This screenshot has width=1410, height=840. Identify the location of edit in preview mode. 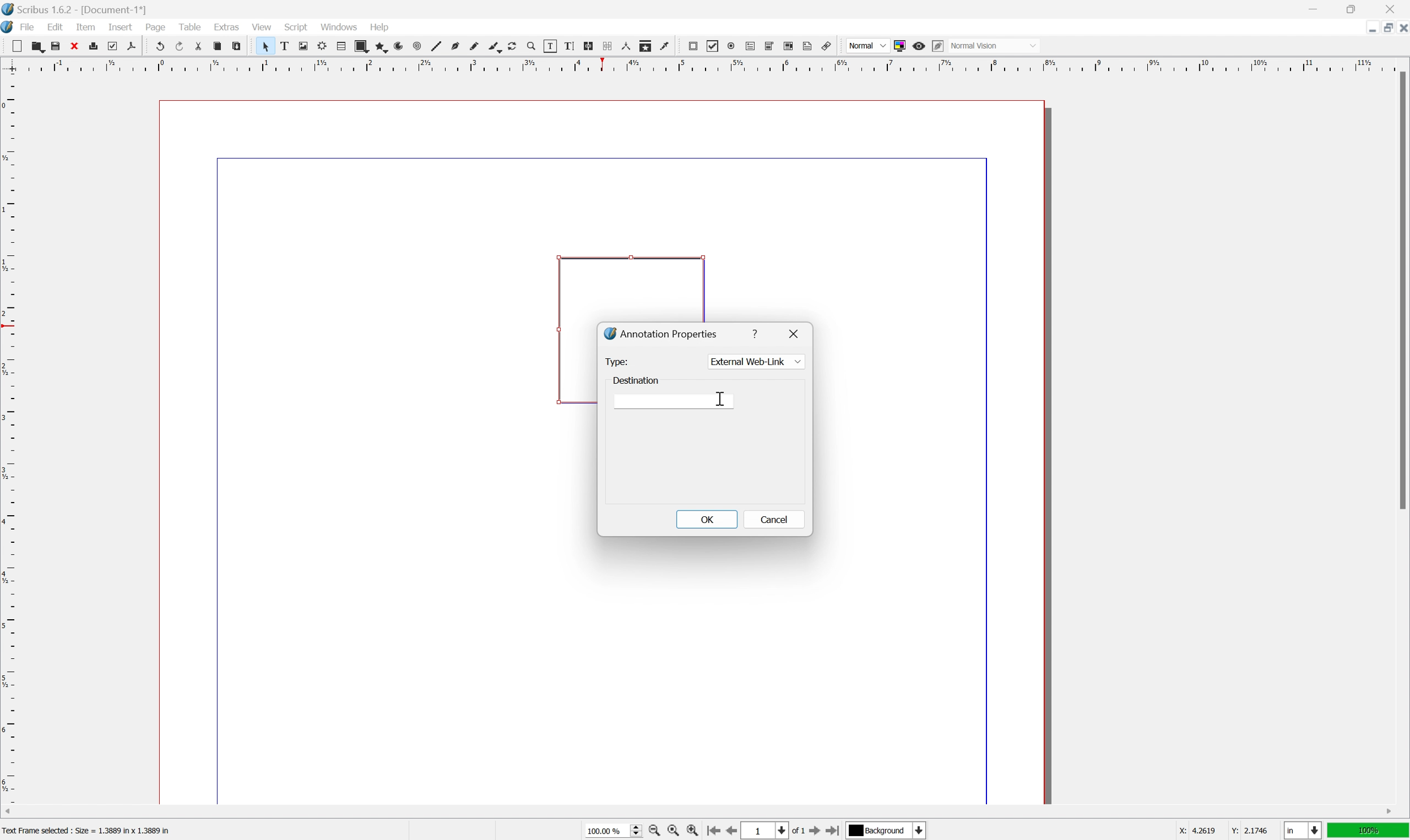
(938, 46).